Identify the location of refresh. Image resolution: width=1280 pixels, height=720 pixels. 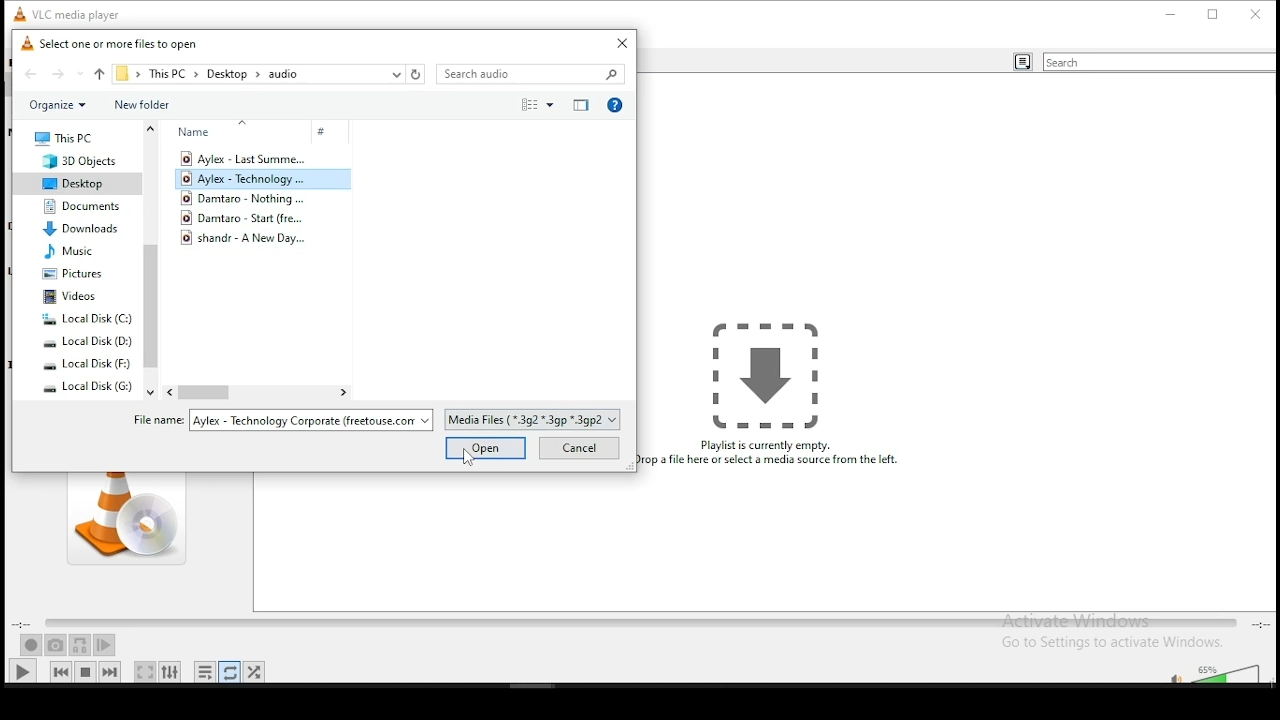
(416, 73).